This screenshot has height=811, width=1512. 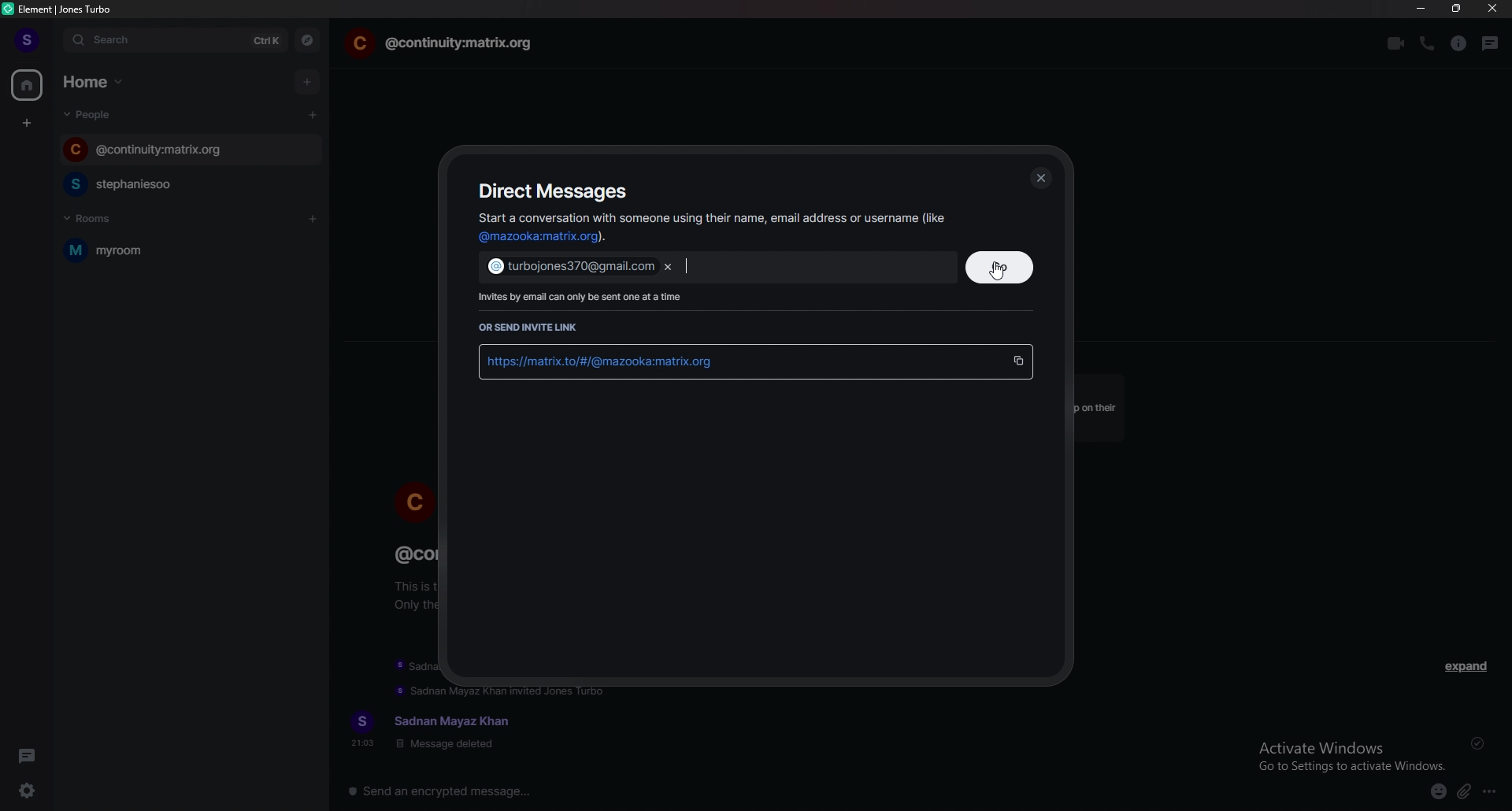 I want to click on rooms, so click(x=107, y=218).